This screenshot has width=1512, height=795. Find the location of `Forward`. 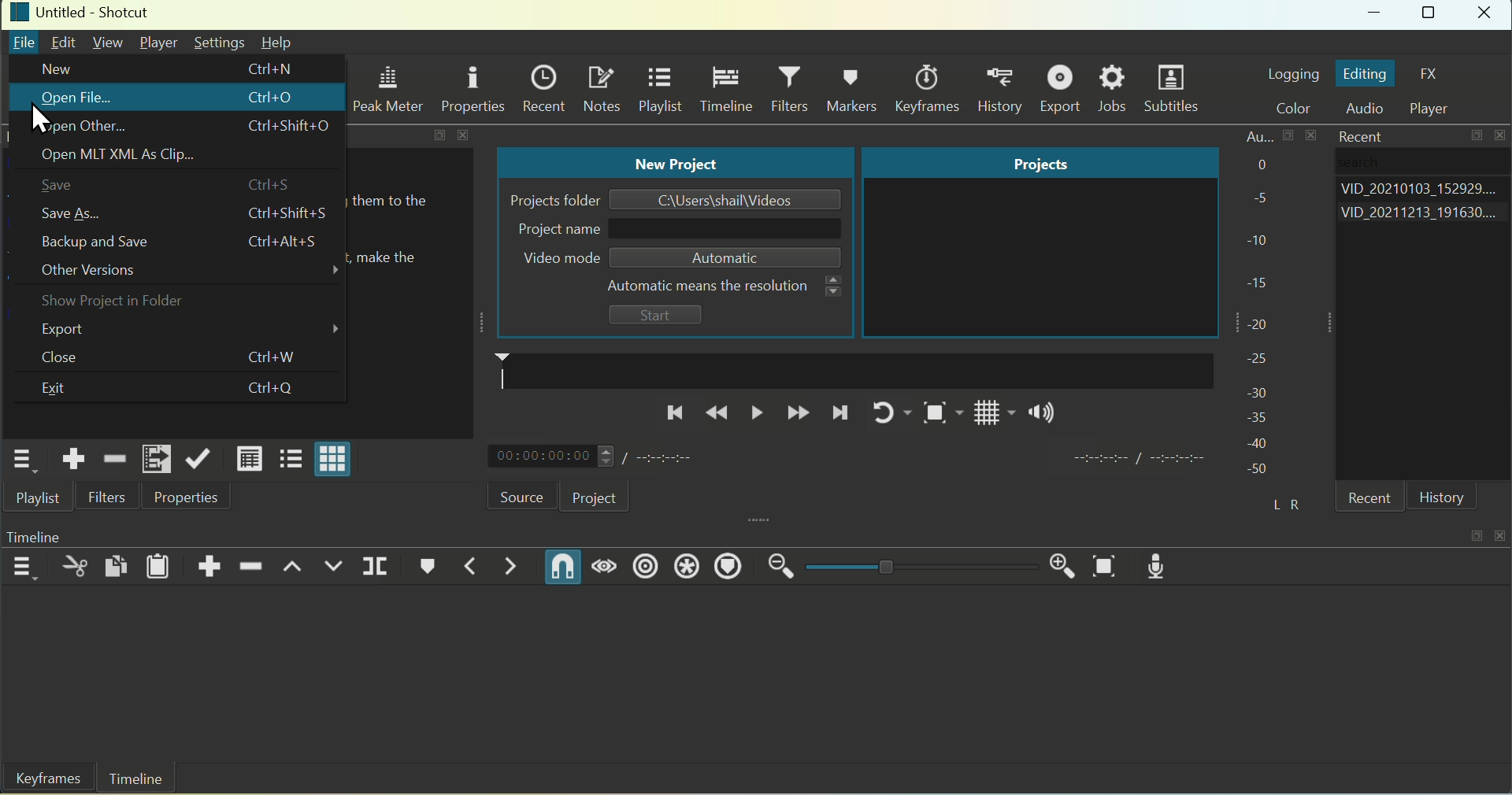

Forward is located at coordinates (798, 414).